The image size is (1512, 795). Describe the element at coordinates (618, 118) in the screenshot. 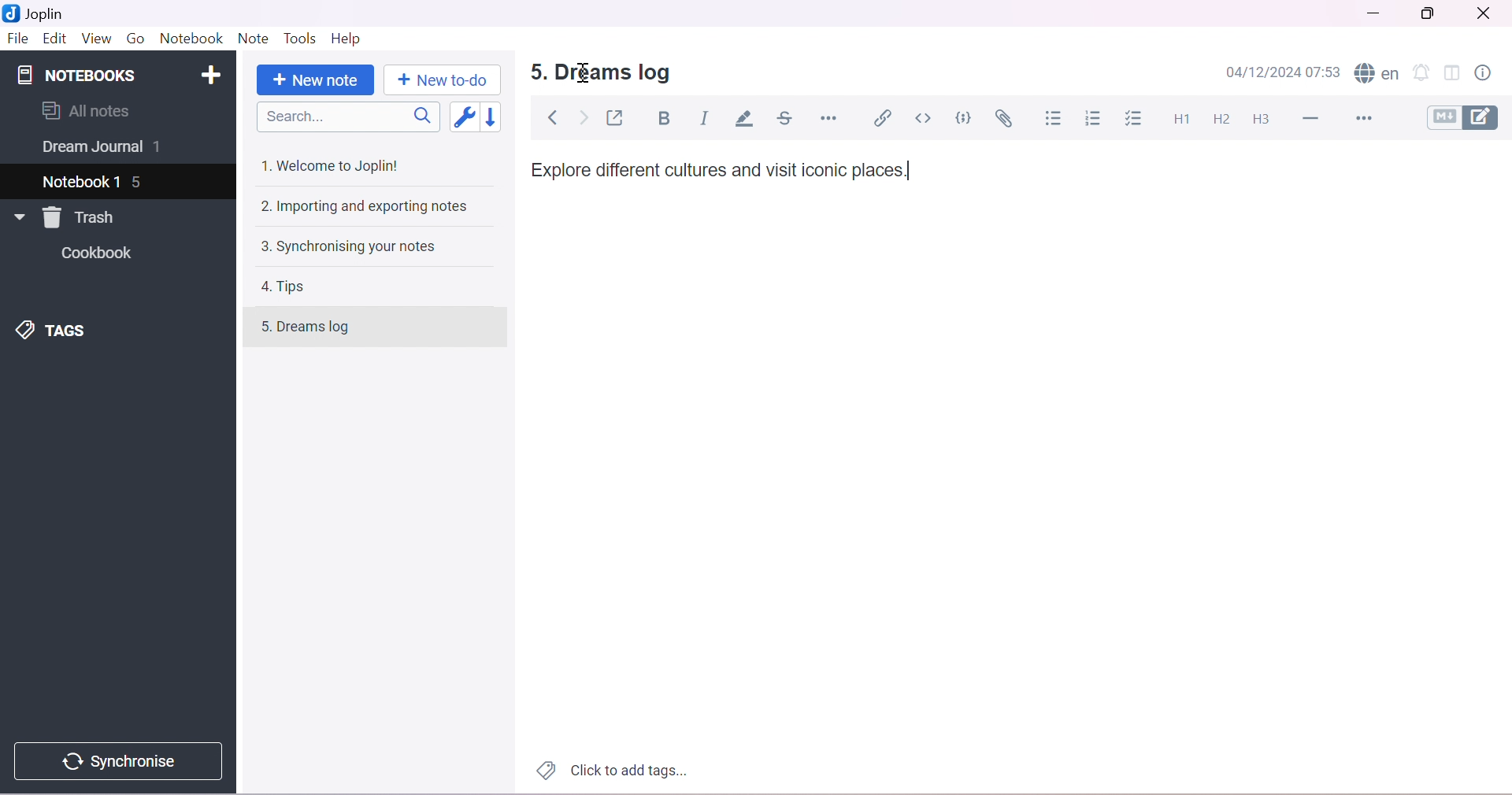

I see `Toggle external editing` at that location.